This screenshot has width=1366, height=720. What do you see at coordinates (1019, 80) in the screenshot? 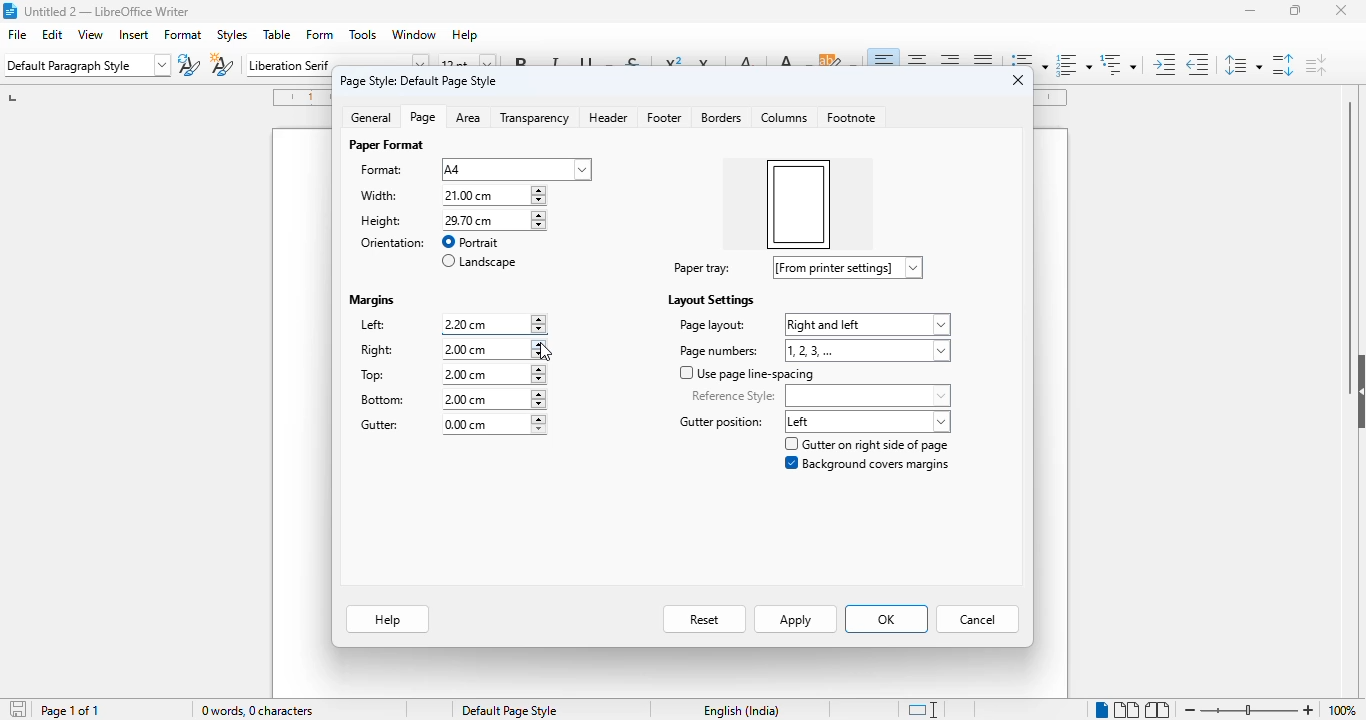
I see `close` at bounding box center [1019, 80].